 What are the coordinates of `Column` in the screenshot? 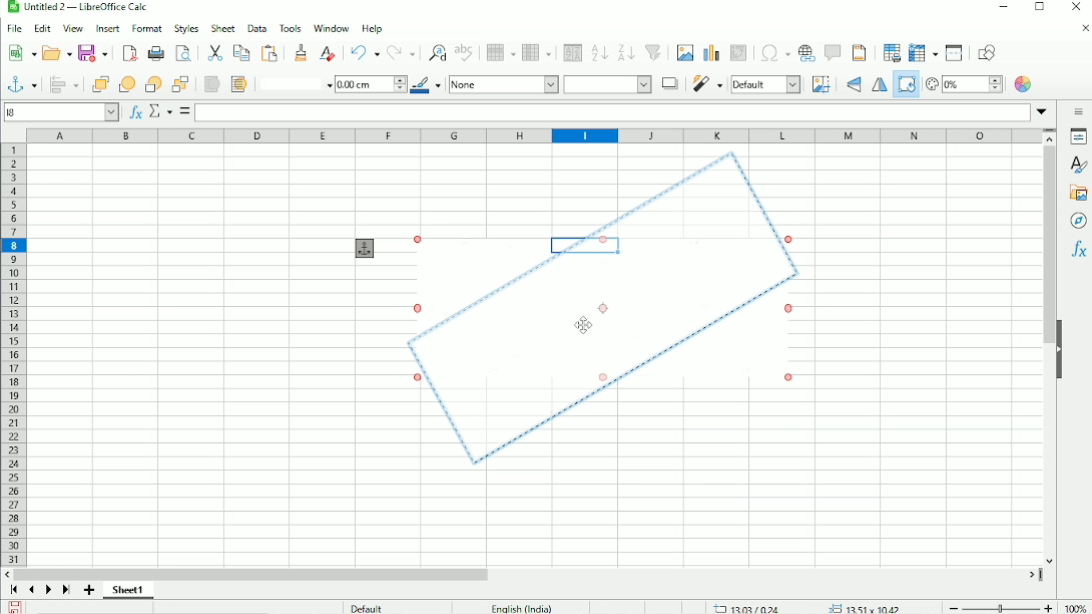 It's located at (536, 52).